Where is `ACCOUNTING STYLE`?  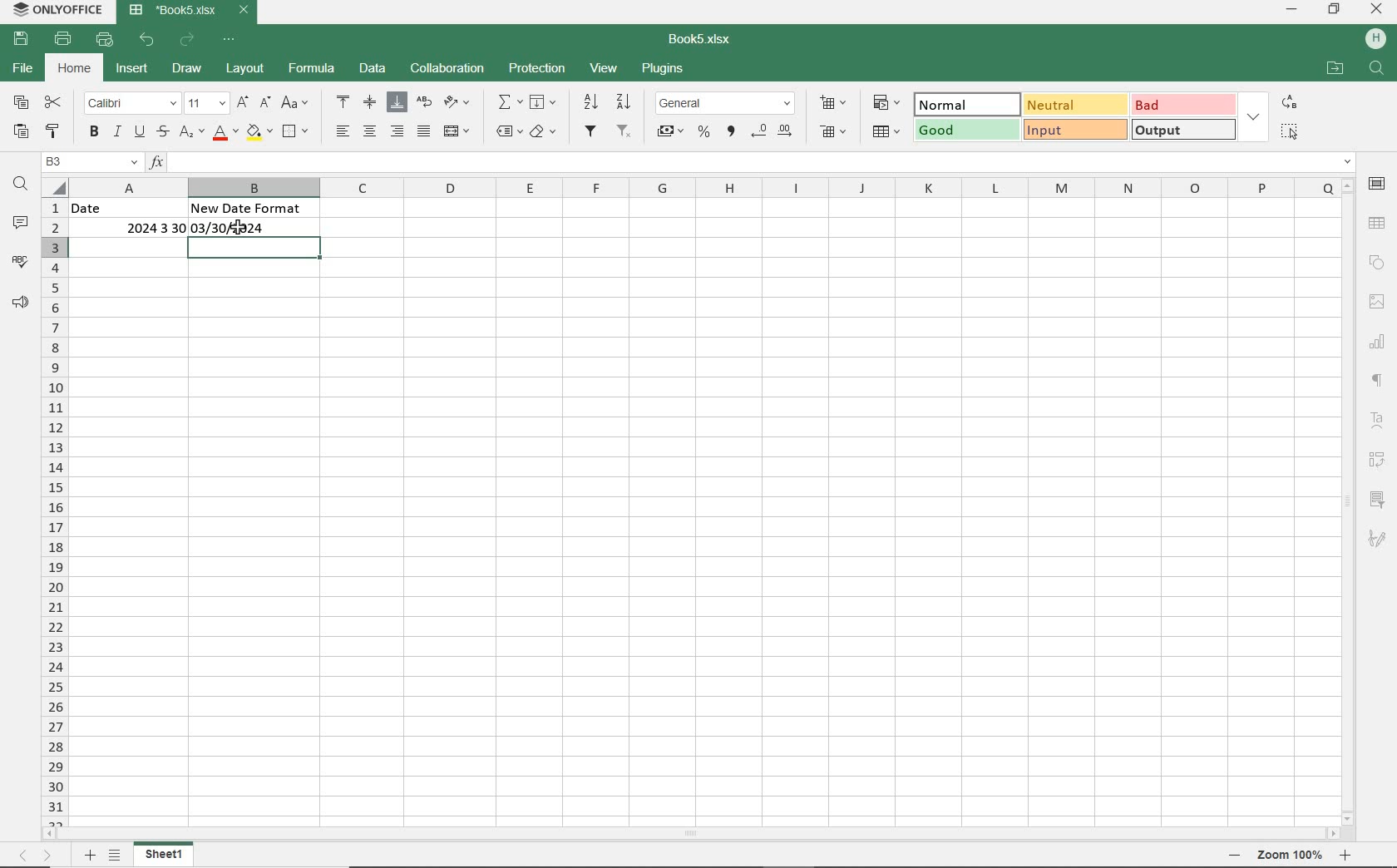
ACCOUNTING STYLE is located at coordinates (672, 133).